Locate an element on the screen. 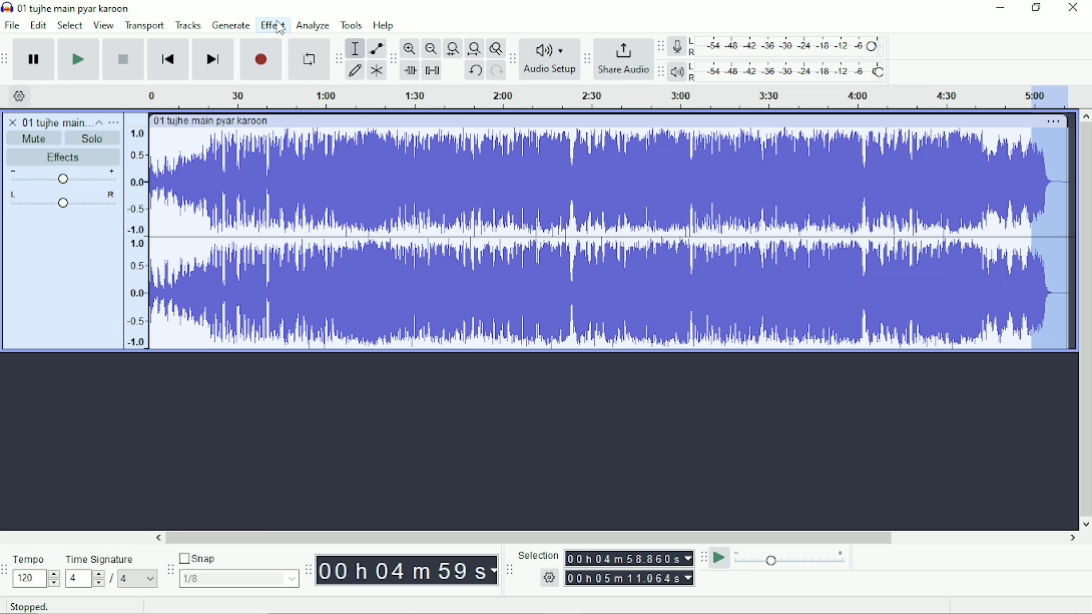 The image size is (1092, 614). Fit selection to width is located at coordinates (452, 48).